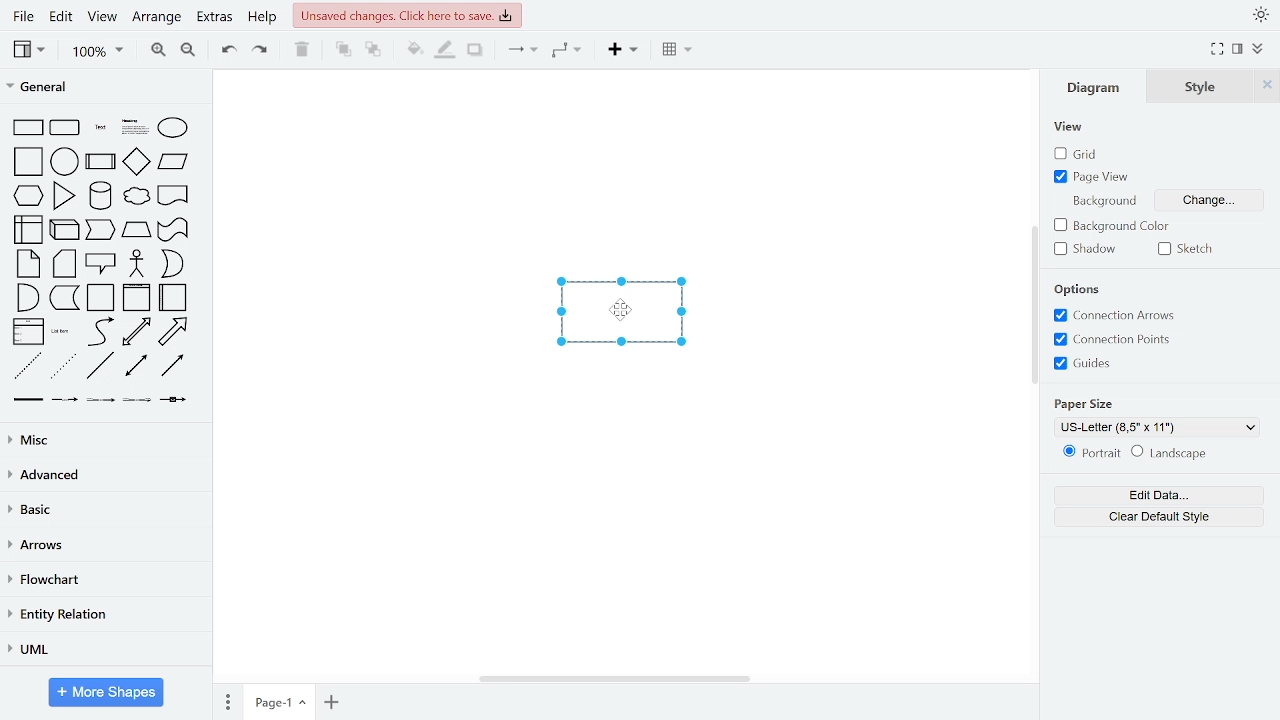 This screenshot has height=720, width=1280. What do you see at coordinates (1096, 179) in the screenshot?
I see `page view` at bounding box center [1096, 179].